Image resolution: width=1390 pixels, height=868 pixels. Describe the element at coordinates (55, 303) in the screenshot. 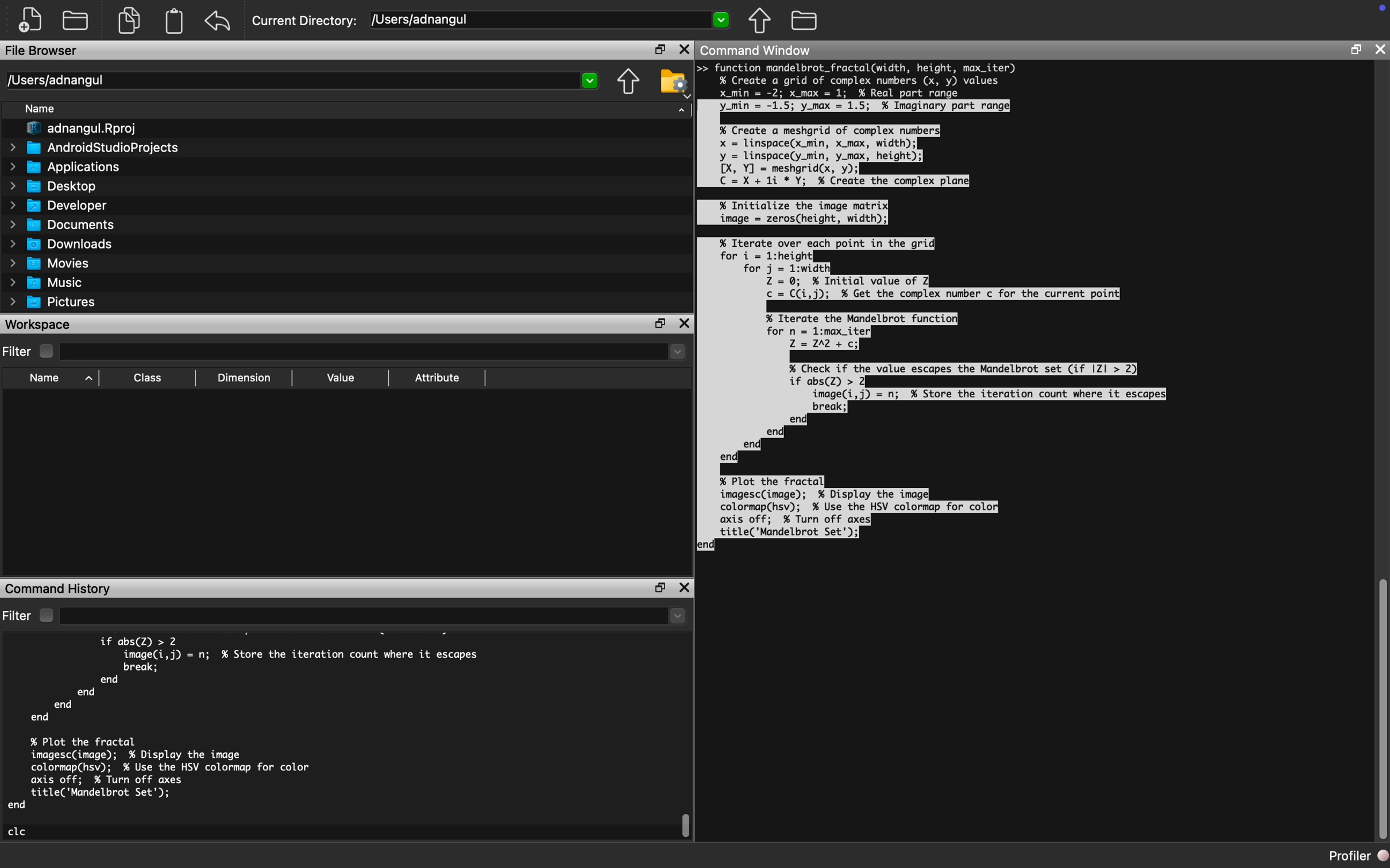

I see `Pictures` at that location.